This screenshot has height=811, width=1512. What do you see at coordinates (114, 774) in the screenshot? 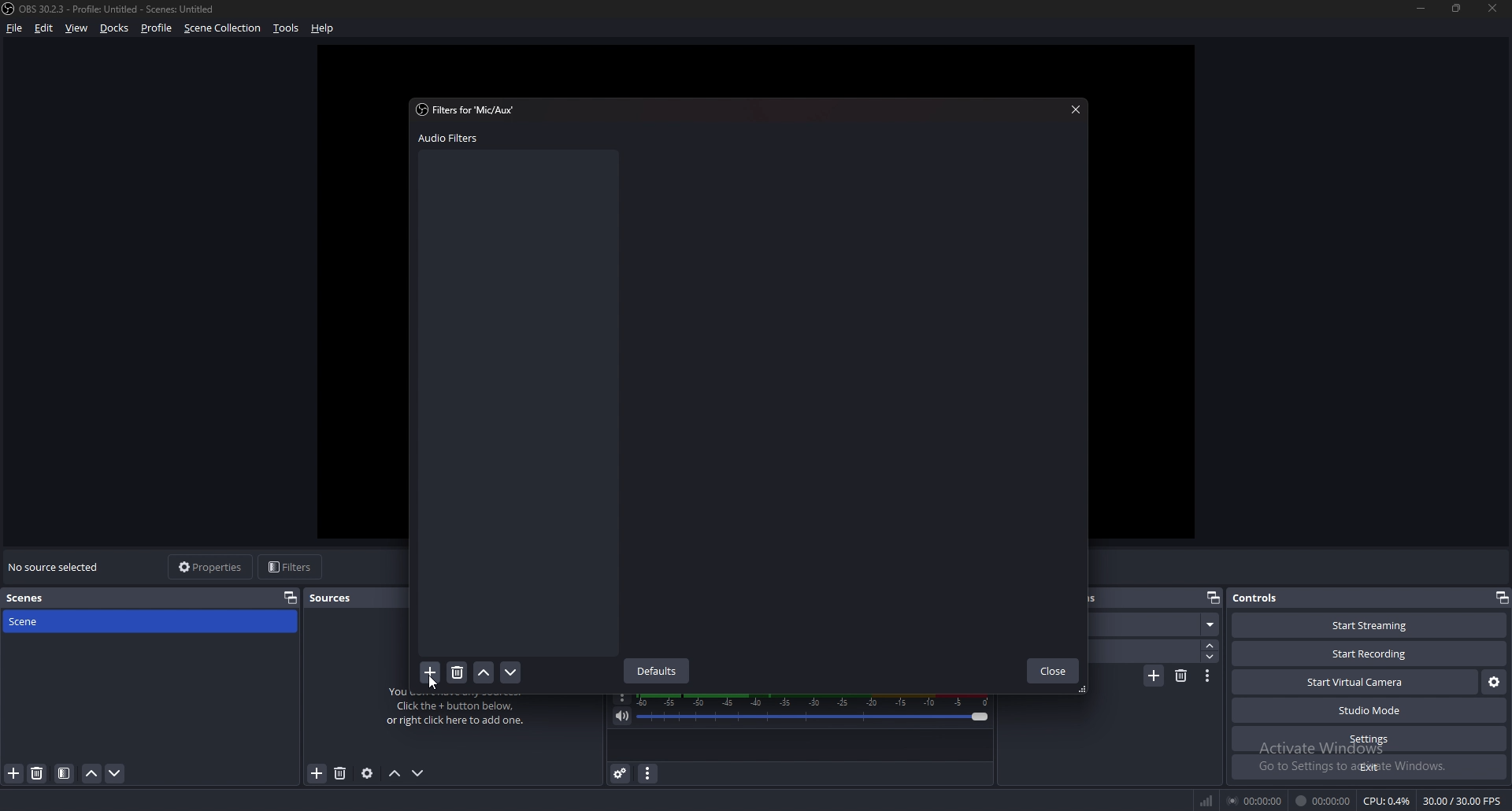
I see `move scene down` at bounding box center [114, 774].